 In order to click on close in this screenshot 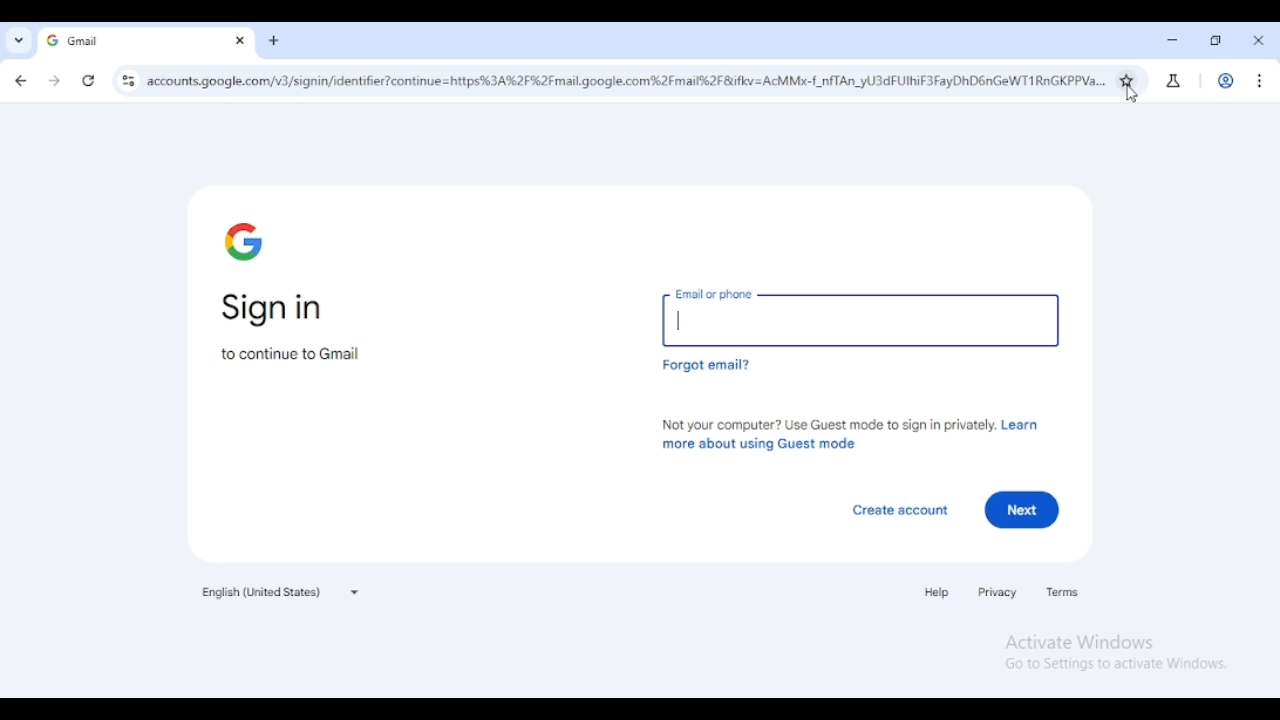, I will do `click(1258, 40)`.